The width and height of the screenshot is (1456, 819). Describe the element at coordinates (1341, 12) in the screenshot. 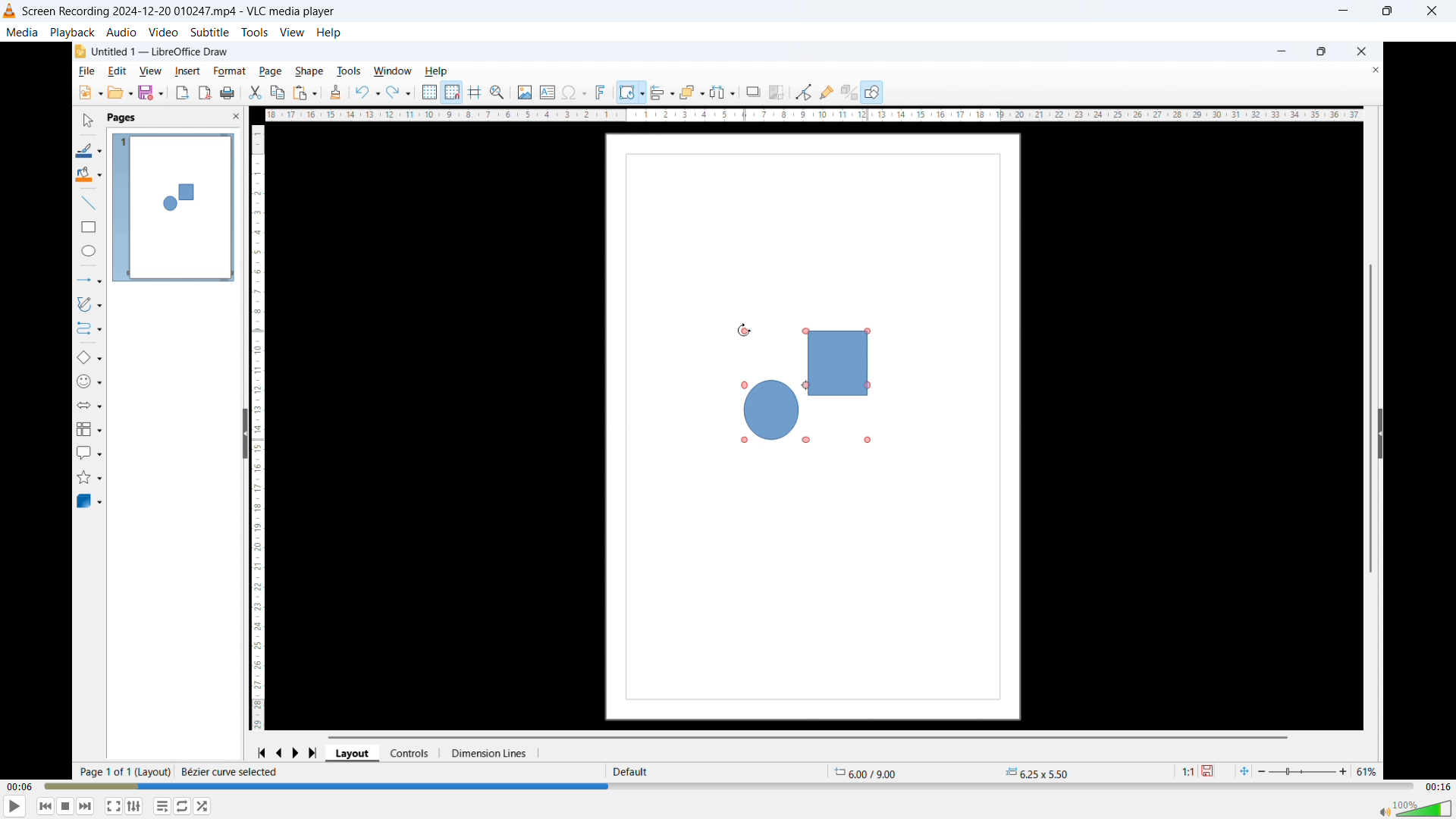

I see `minimise ` at that location.